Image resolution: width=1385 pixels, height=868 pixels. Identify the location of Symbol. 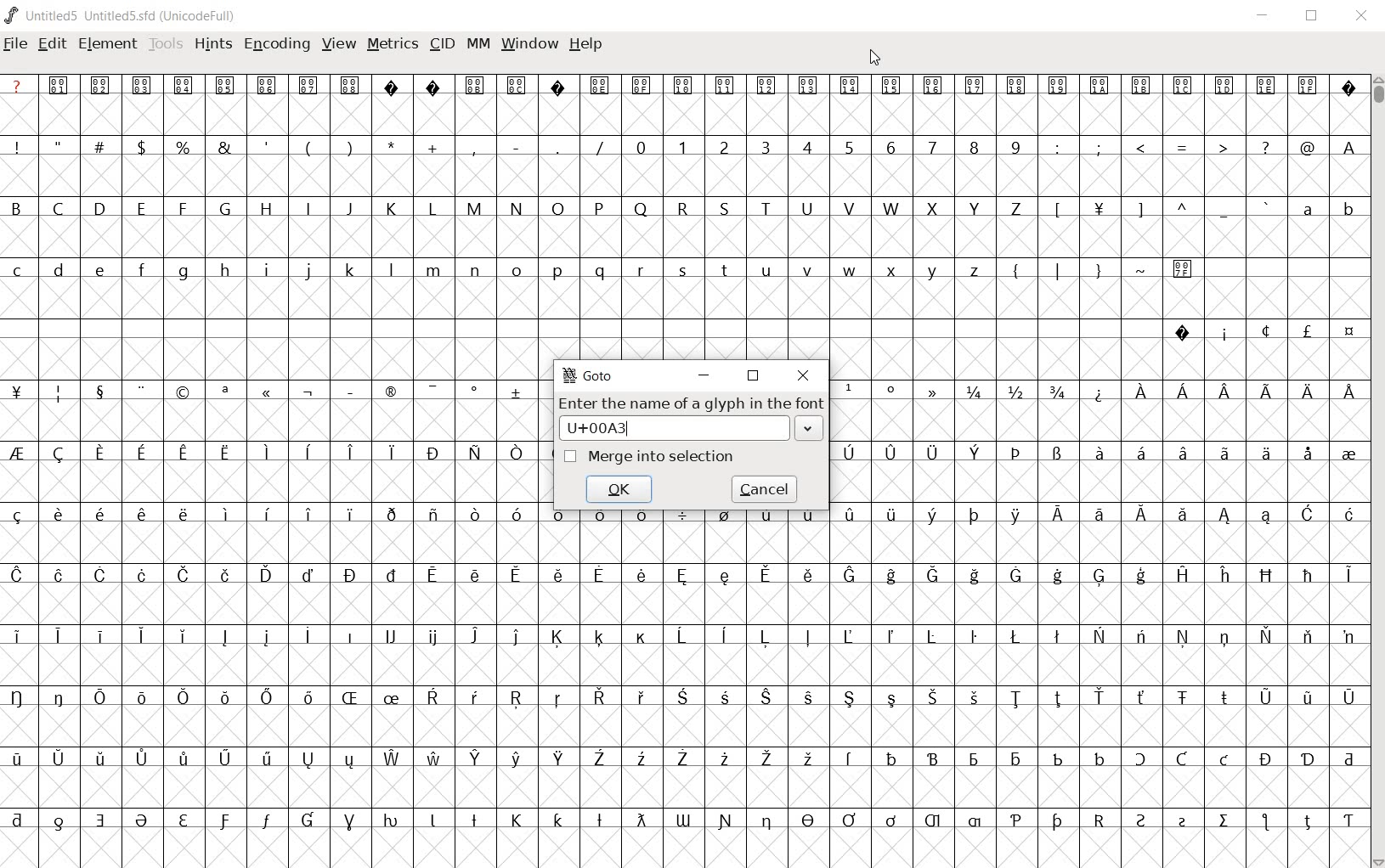
(1267, 392).